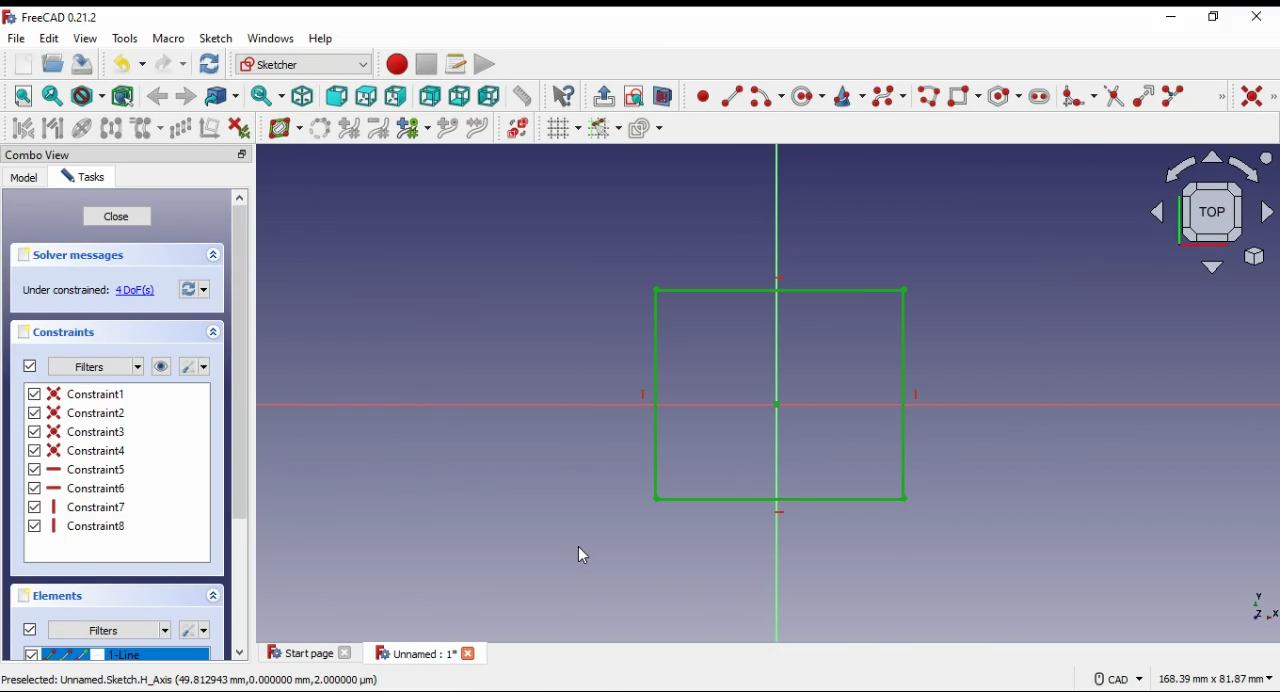 The height and width of the screenshot is (692, 1280). Describe the element at coordinates (84, 176) in the screenshot. I see `tasks` at that location.